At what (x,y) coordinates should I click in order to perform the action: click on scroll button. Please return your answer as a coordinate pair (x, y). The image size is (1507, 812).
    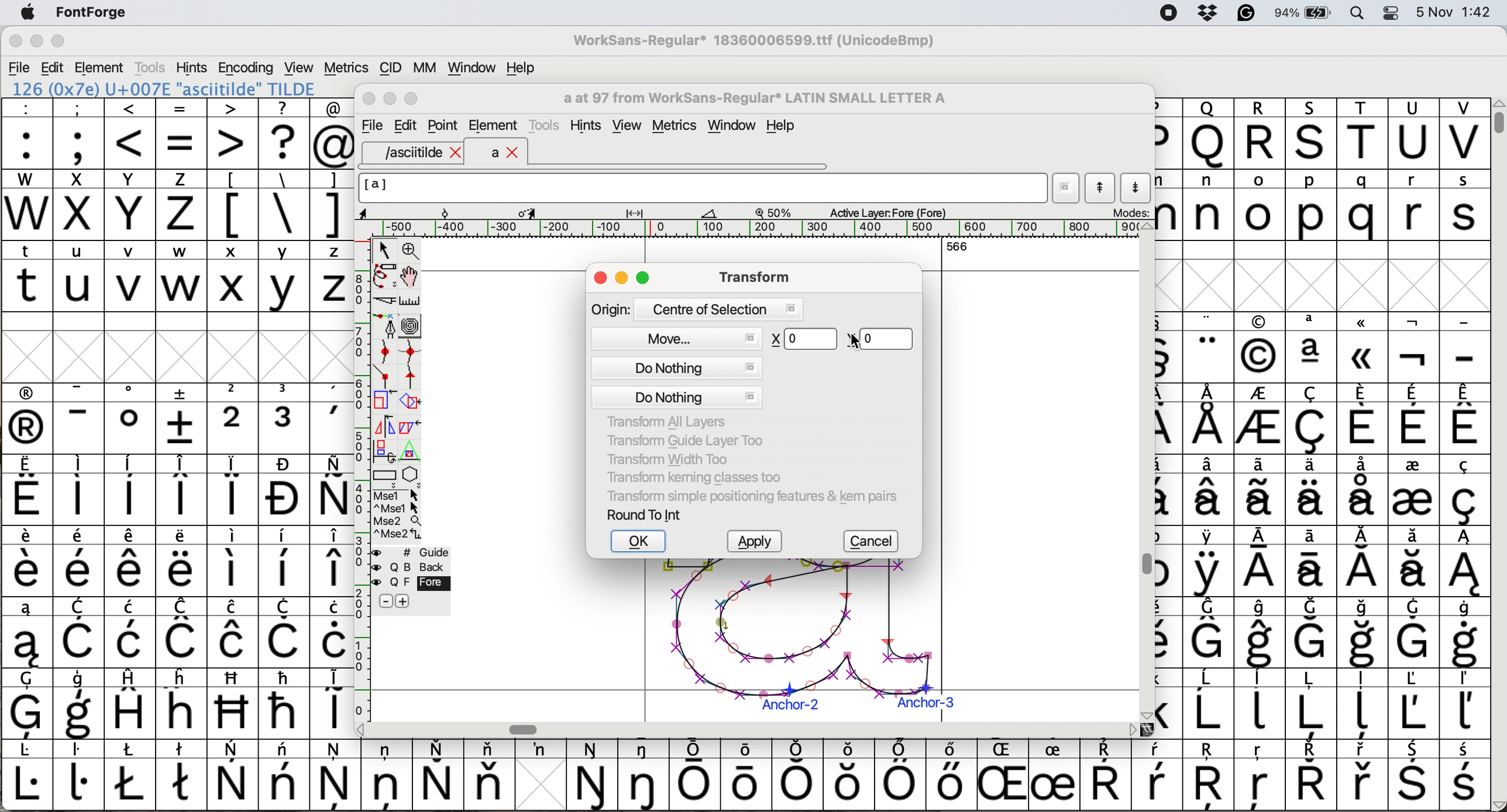
    Looking at the image, I should click on (1133, 729).